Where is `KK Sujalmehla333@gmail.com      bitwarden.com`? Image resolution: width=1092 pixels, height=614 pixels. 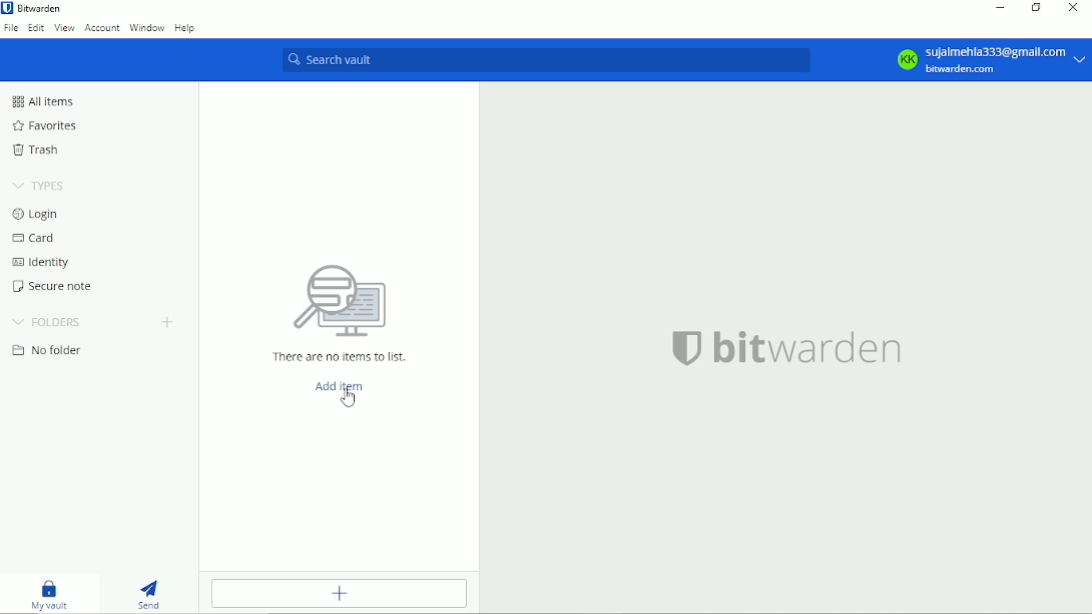 KK Sujalmehla333@gmail.com      bitwarden.com is located at coordinates (985, 60).